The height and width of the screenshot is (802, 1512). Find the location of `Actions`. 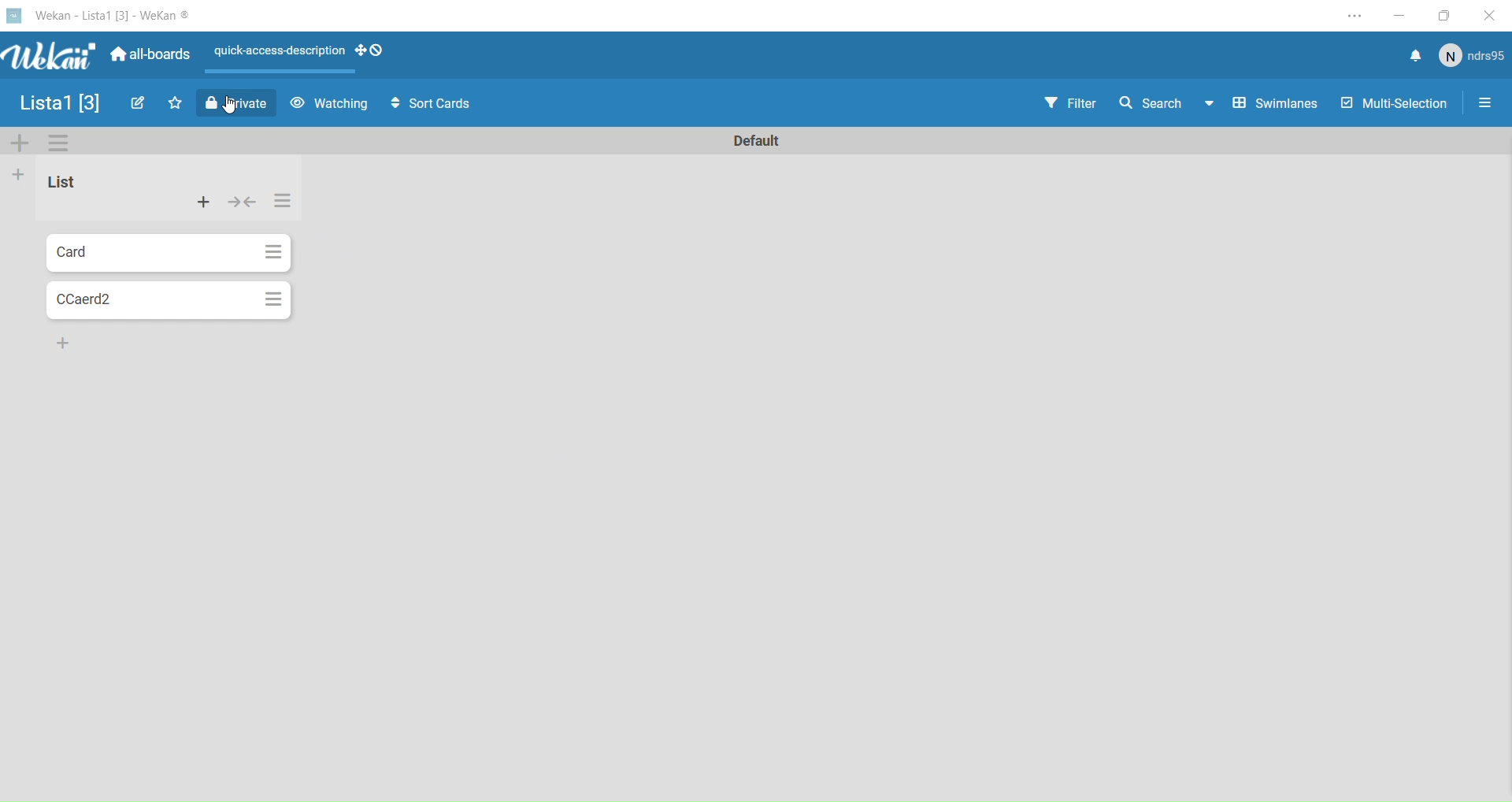

Actions is located at coordinates (374, 50).